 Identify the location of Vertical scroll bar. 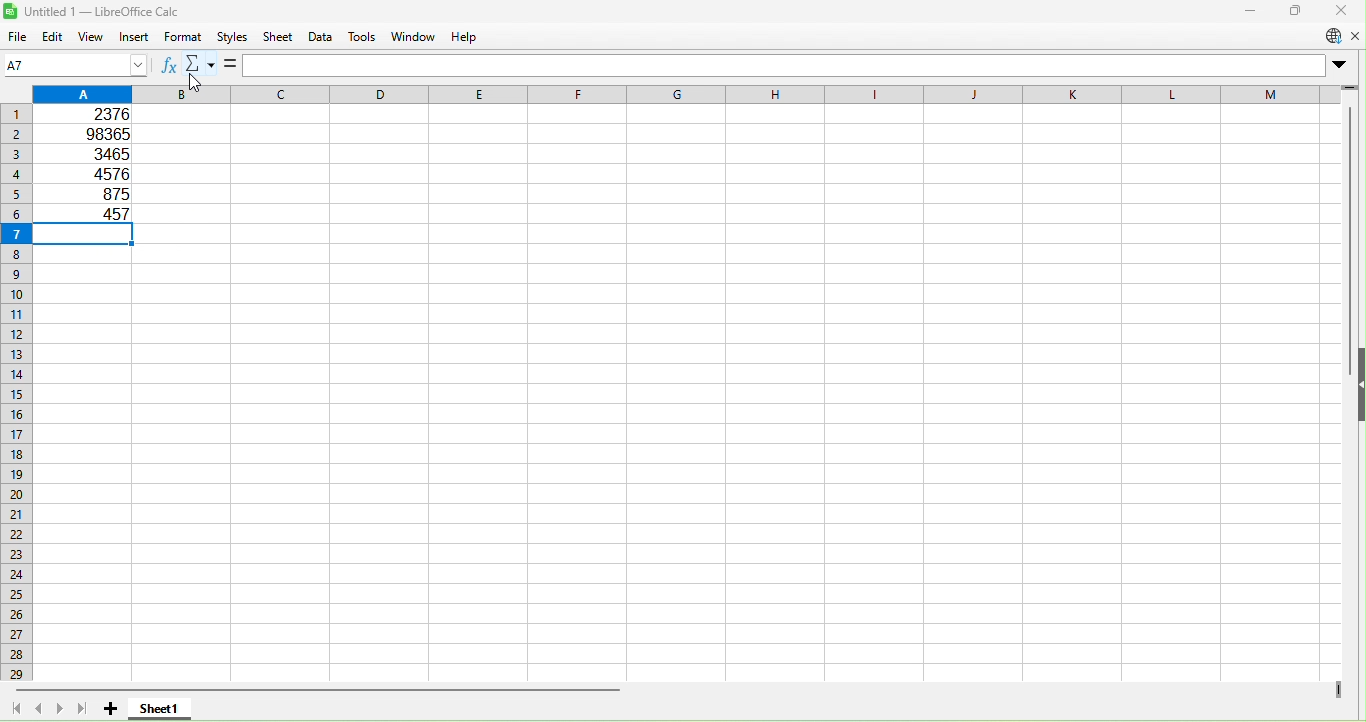
(1351, 202).